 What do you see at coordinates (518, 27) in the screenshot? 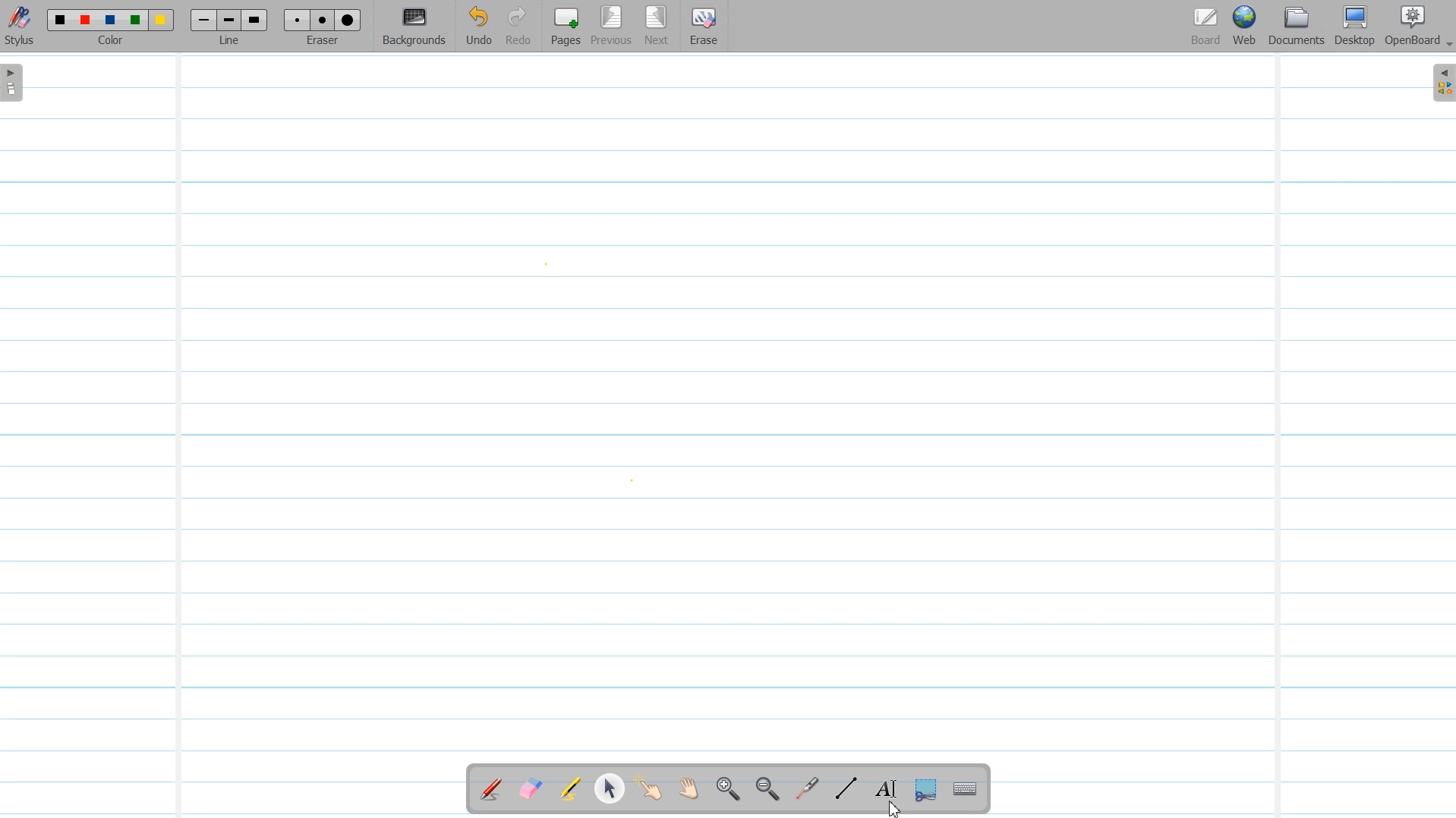
I see `Redo` at bounding box center [518, 27].